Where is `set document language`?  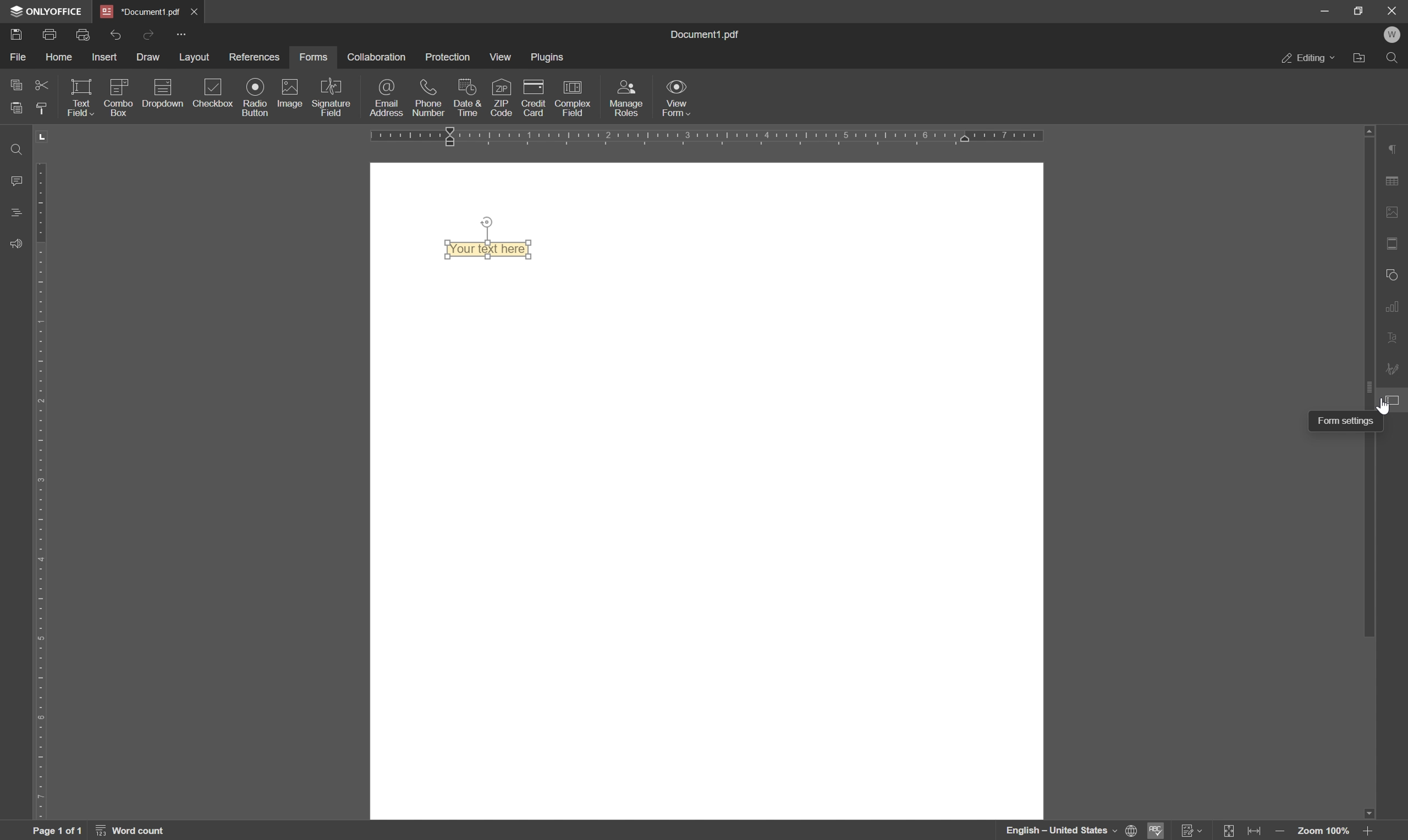
set document language is located at coordinates (1071, 830).